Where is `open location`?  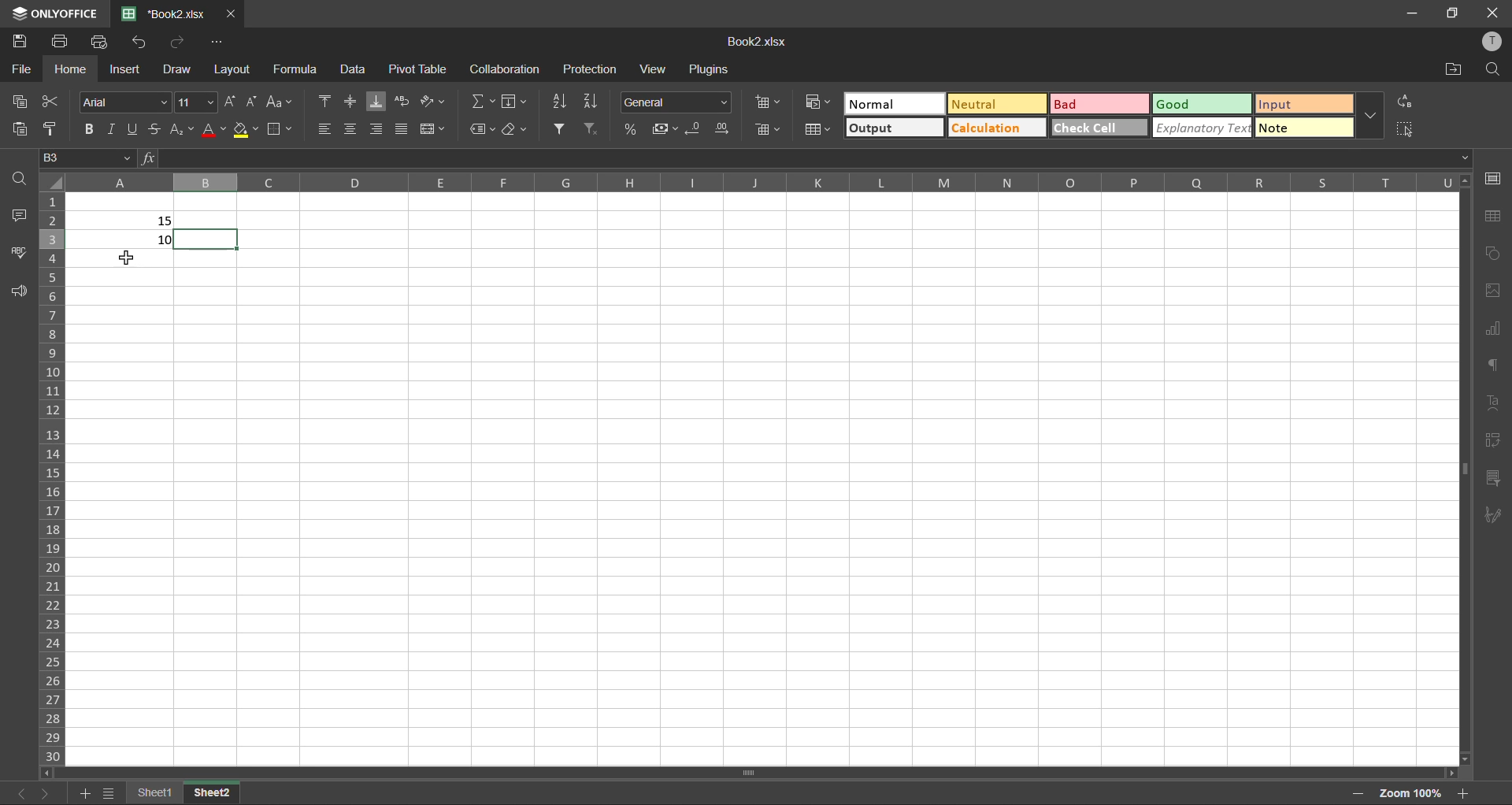 open location is located at coordinates (1451, 68).